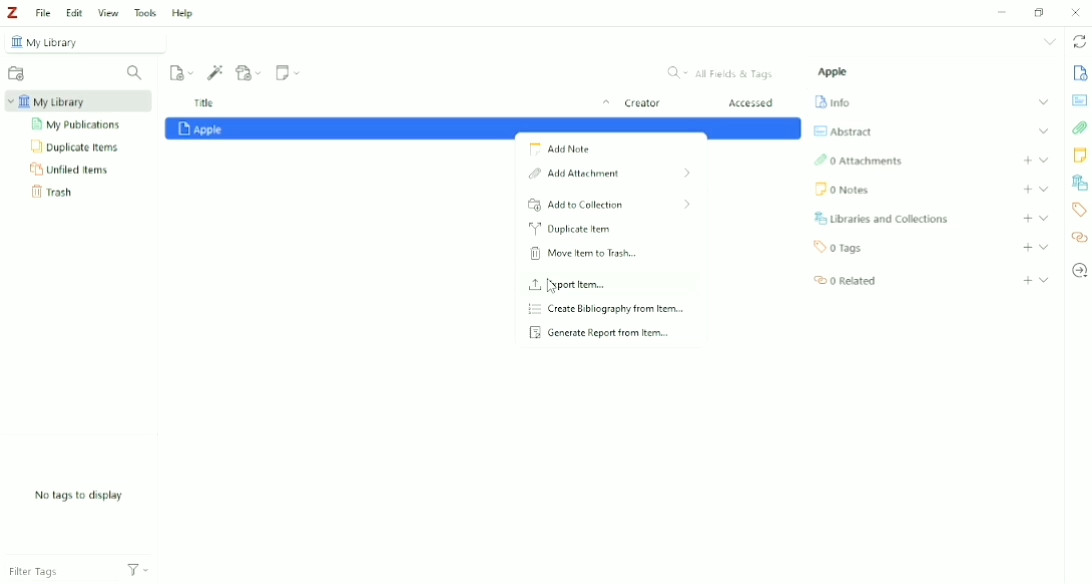  Describe the element at coordinates (1044, 218) in the screenshot. I see `Expand section` at that location.